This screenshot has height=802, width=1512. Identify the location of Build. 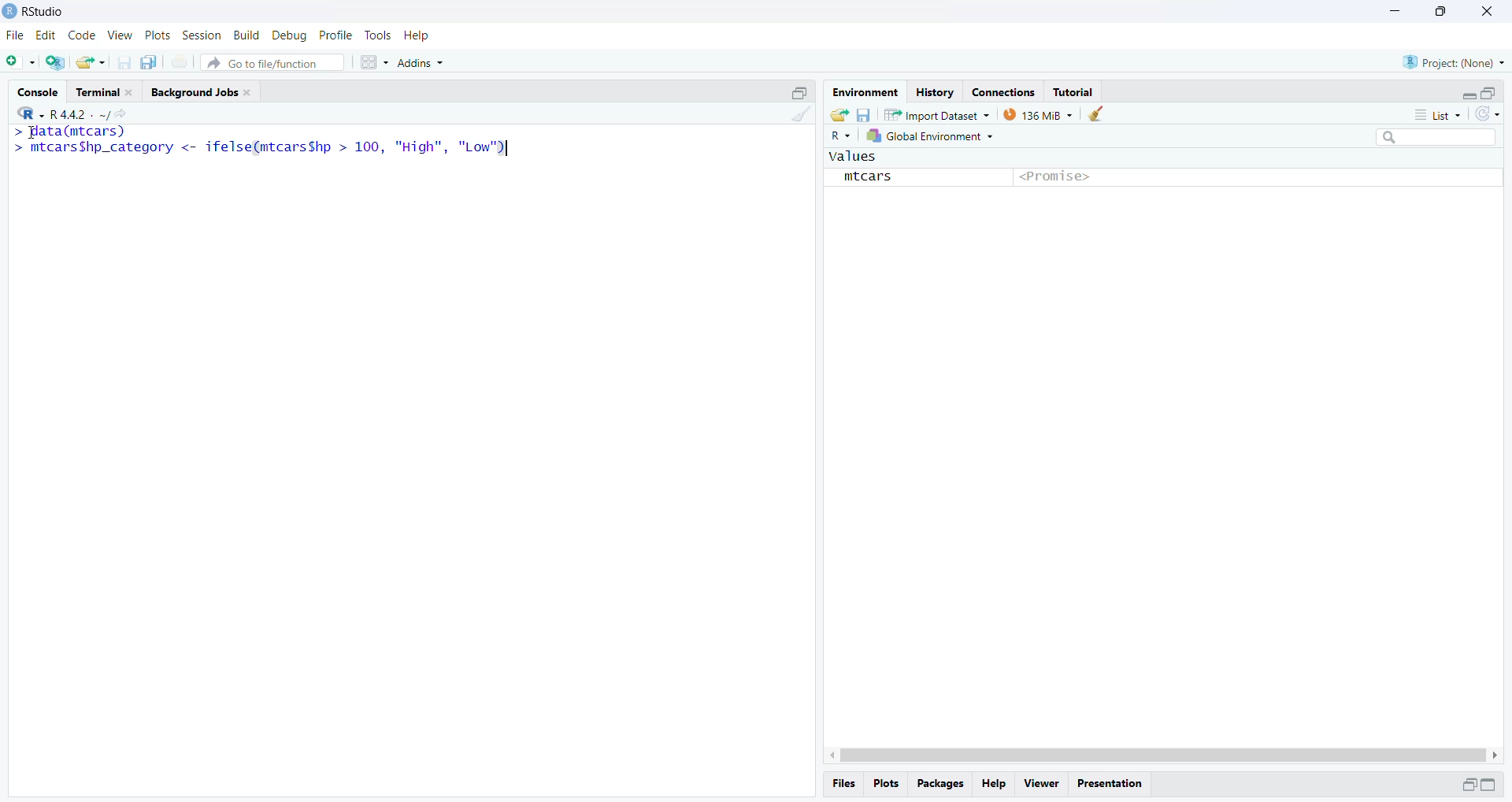
(248, 35).